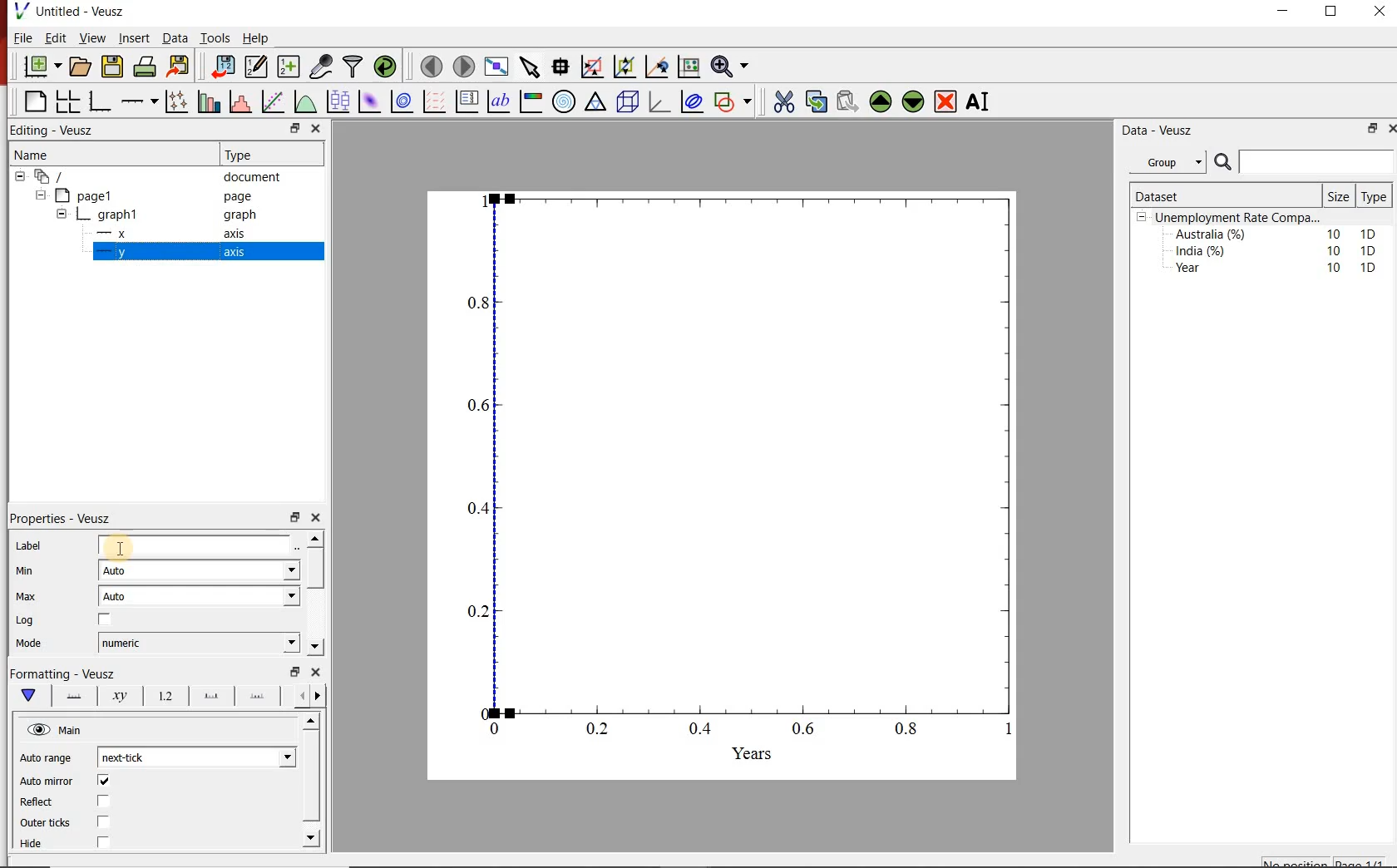 This screenshot has width=1397, height=868. Describe the element at coordinates (46, 823) in the screenshot. I see `Outer ticks` at that location.